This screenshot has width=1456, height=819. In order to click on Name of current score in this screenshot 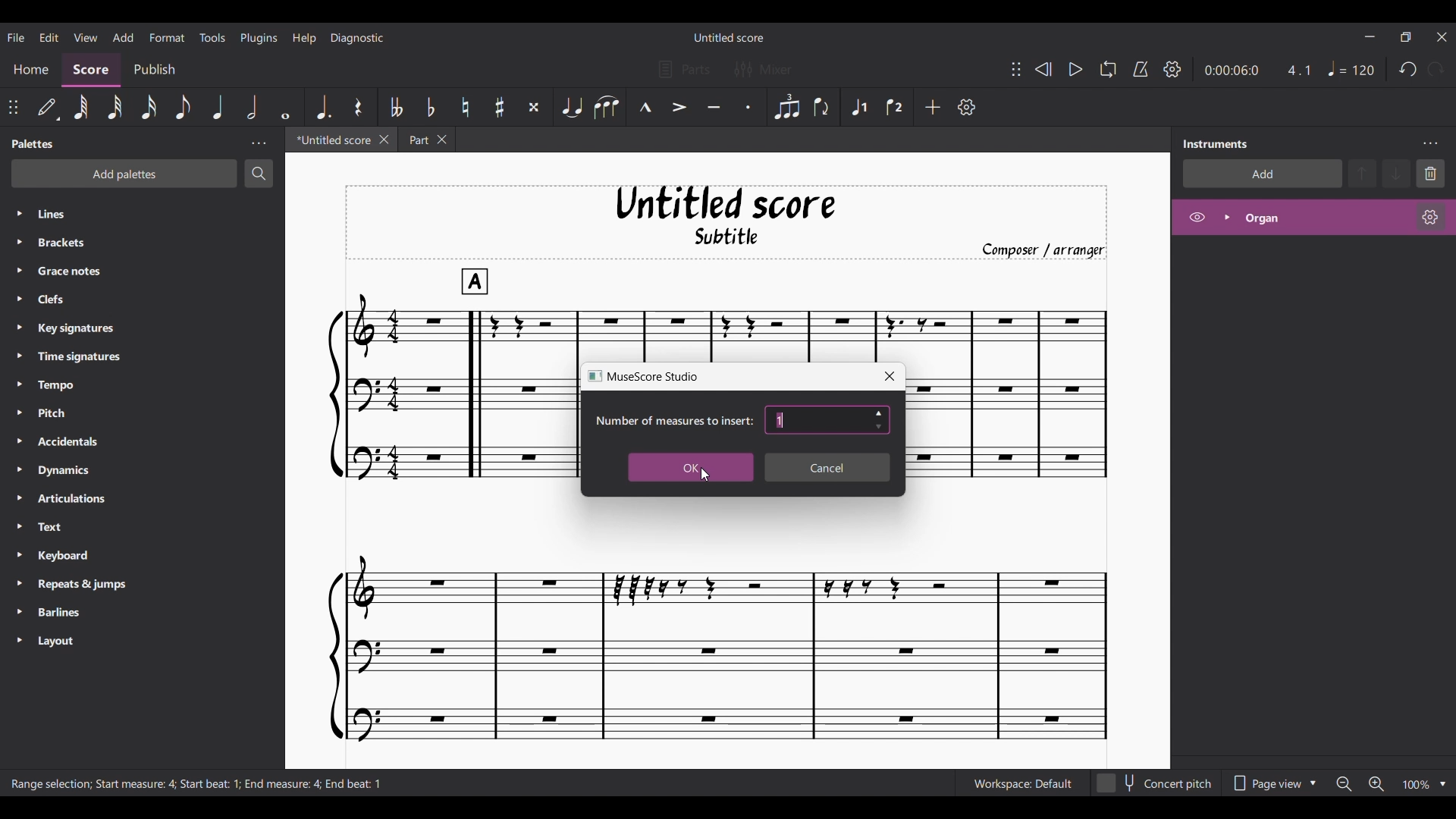, I will do `click(730, 37)`.